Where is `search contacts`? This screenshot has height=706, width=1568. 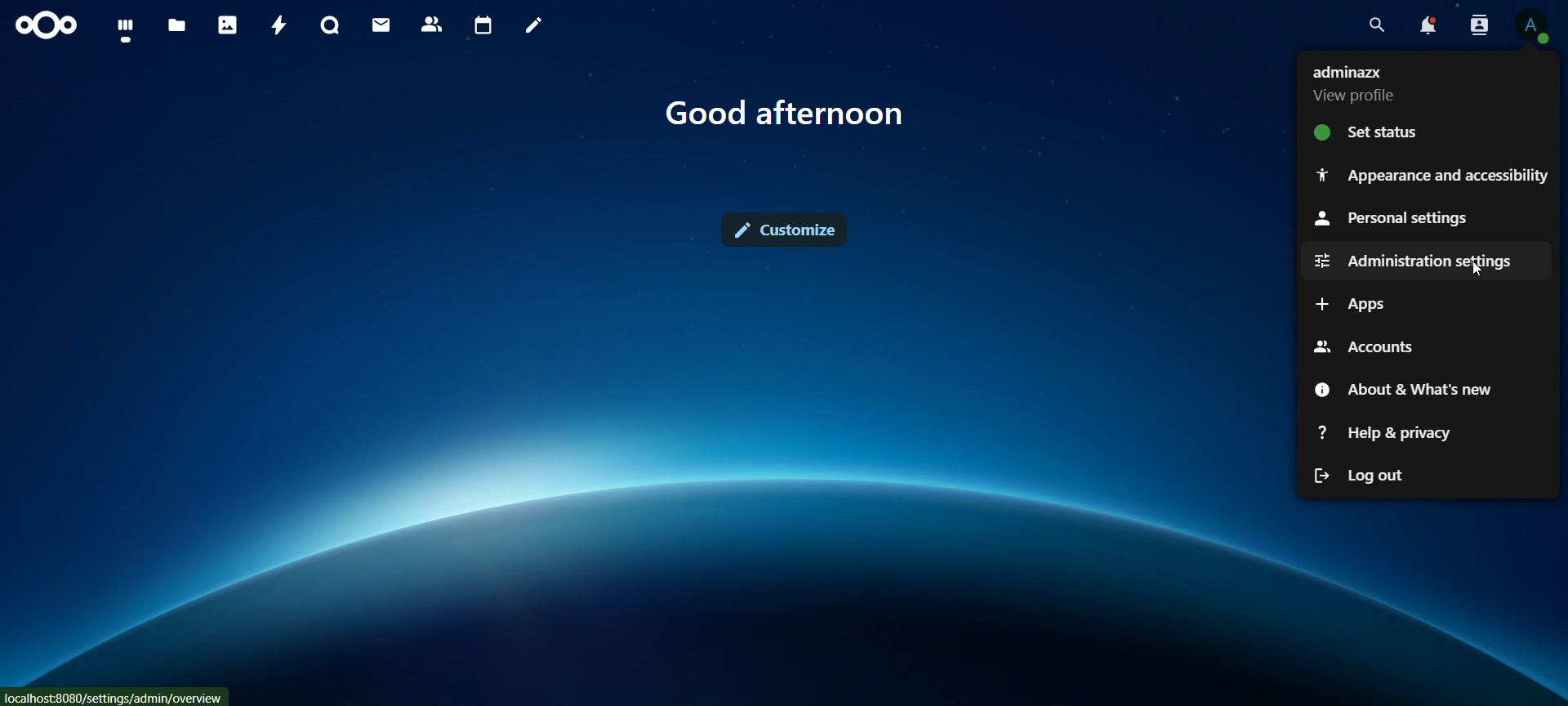 search contacts is located at coordinates (1475, 26).